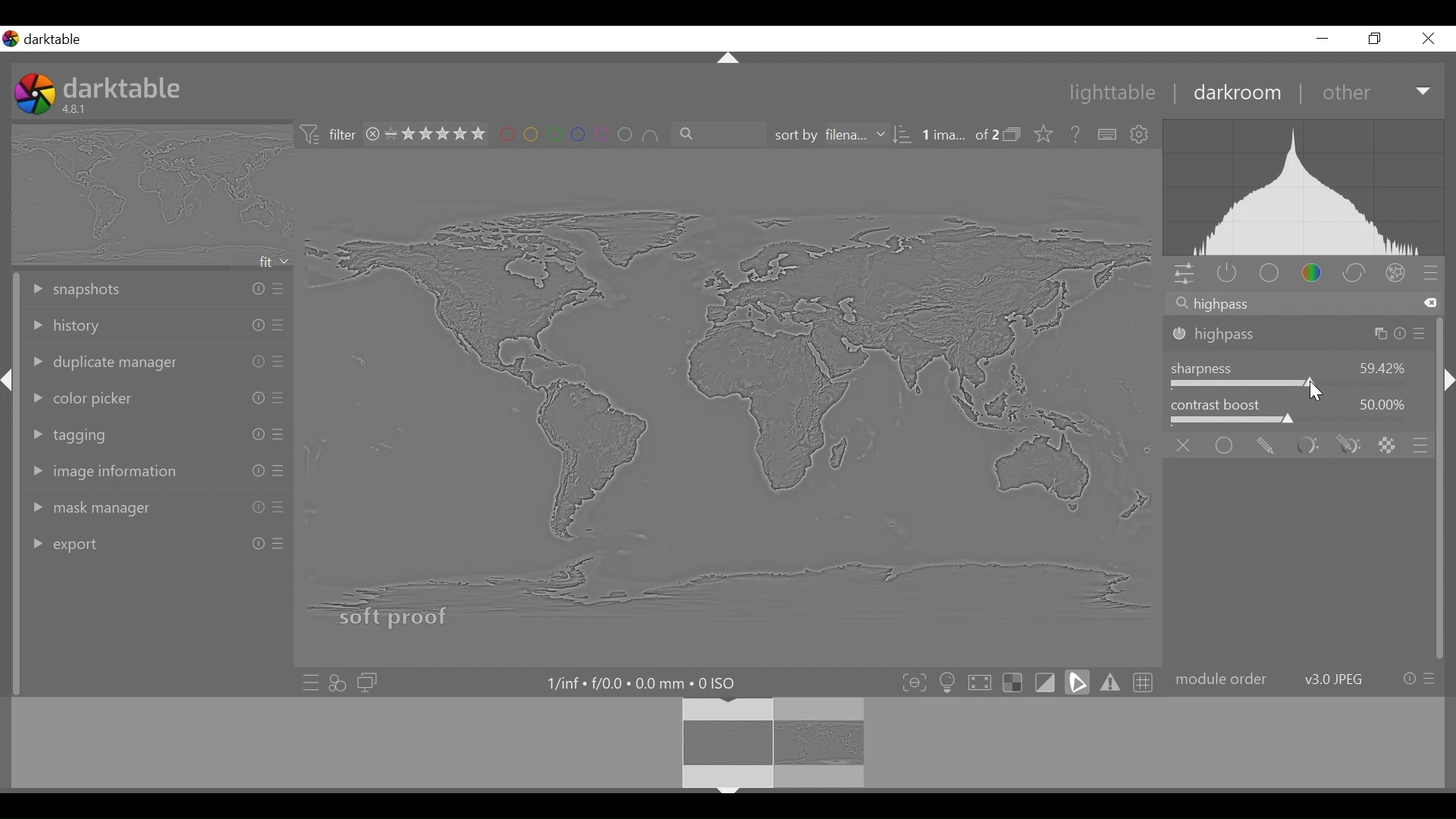 Image resolution: width=1456 pixels, height=819 pixels. Describe the element at coordinates (77, 108) in the screenshot. I see `4.8.1` at that location.